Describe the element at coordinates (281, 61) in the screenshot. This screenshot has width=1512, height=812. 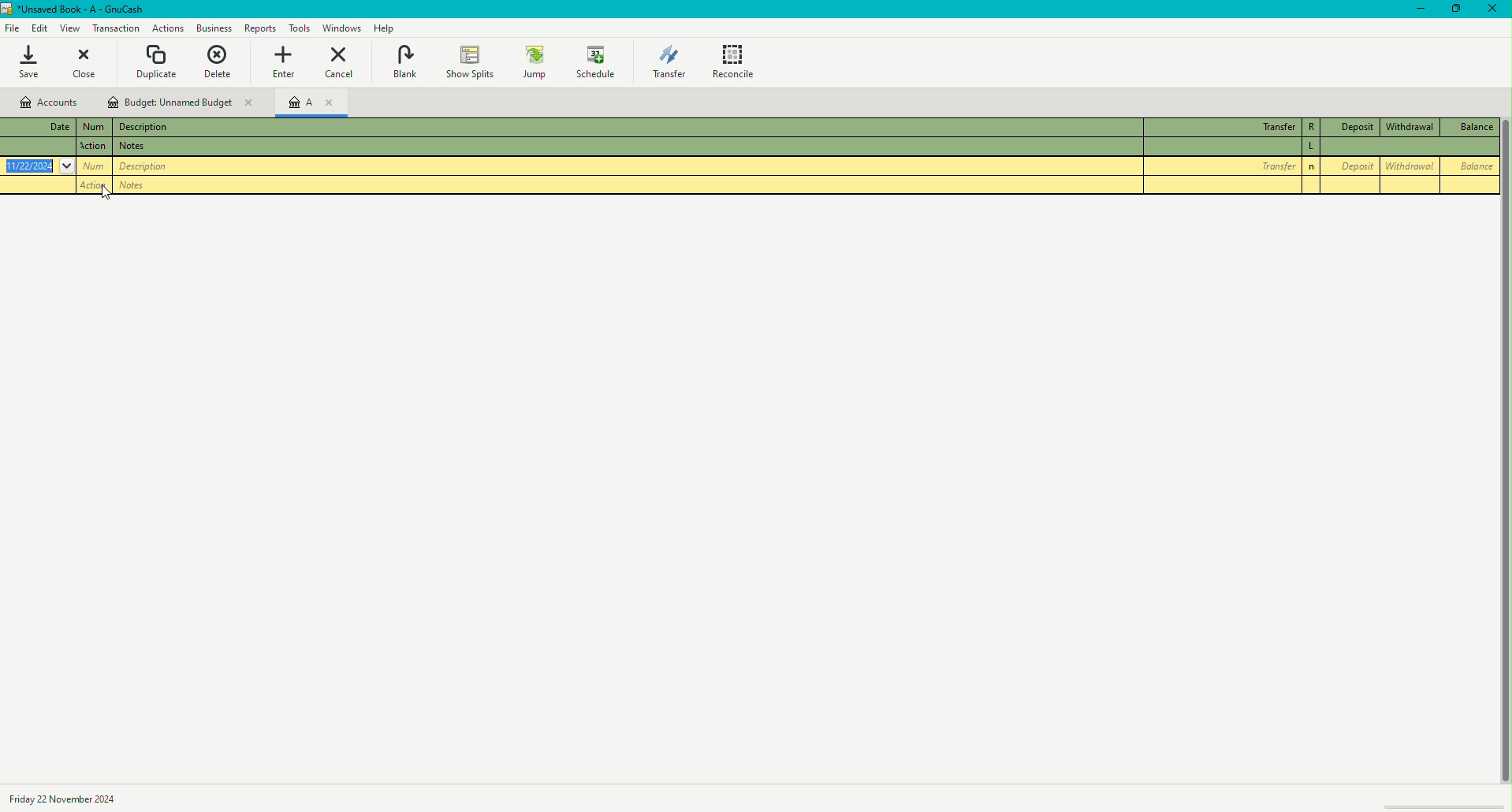
I see `Enter` at that location.